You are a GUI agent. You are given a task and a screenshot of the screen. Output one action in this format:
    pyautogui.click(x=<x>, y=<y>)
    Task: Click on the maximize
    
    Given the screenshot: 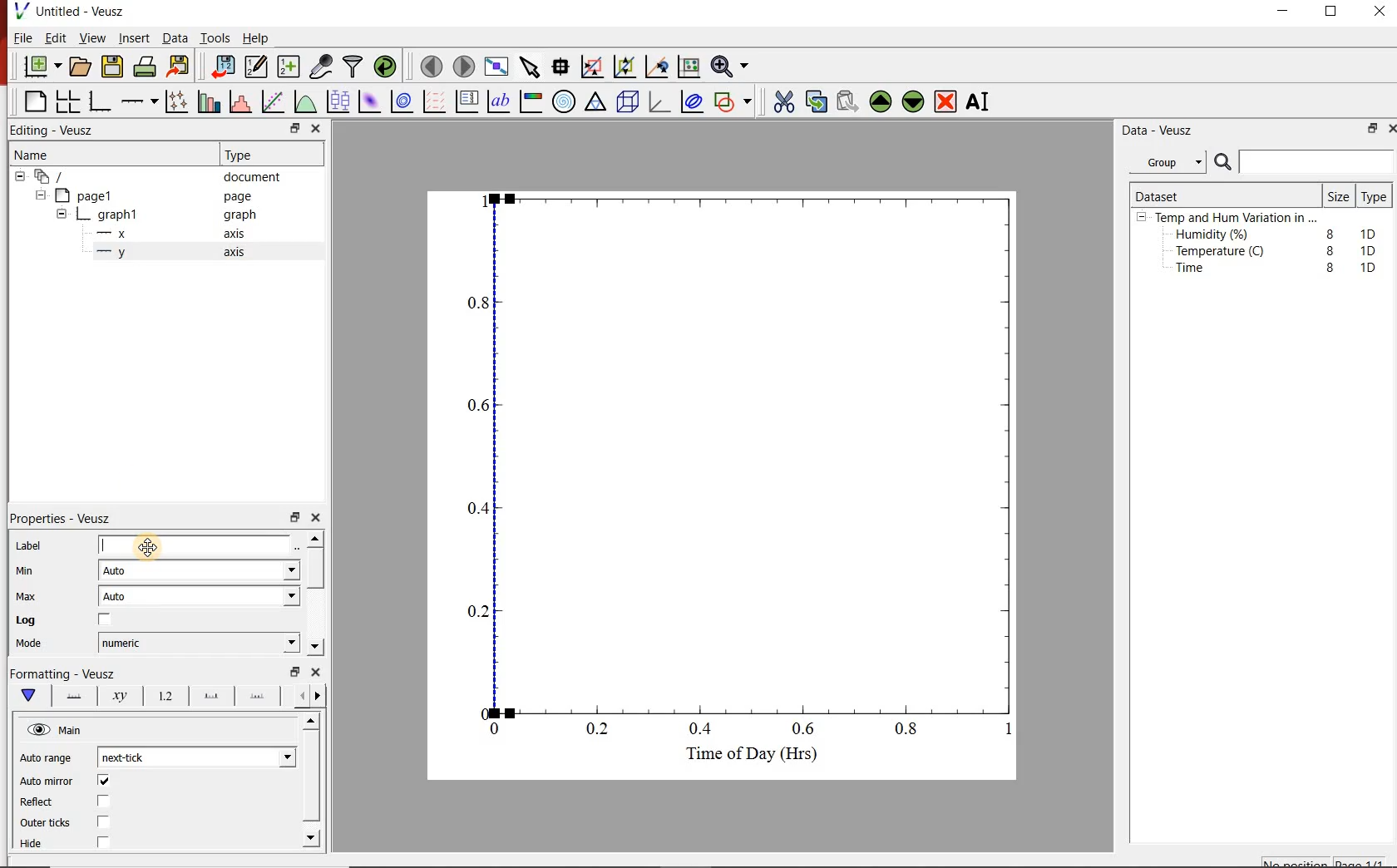 What is the action you would take?
    pyautogui.click(x=1340, y=12)
    